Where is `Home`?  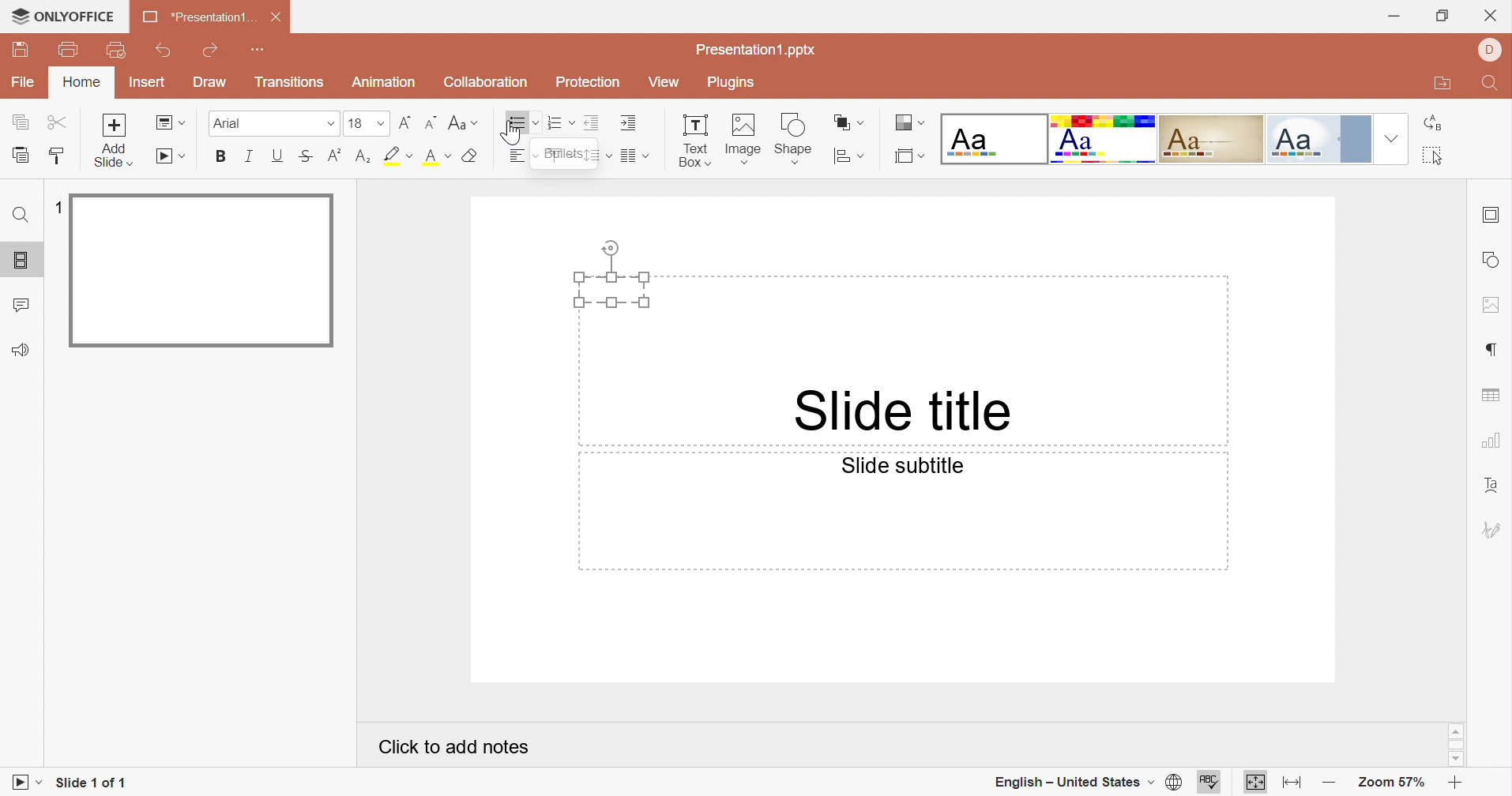
Home is located at coordinates (81, 84).